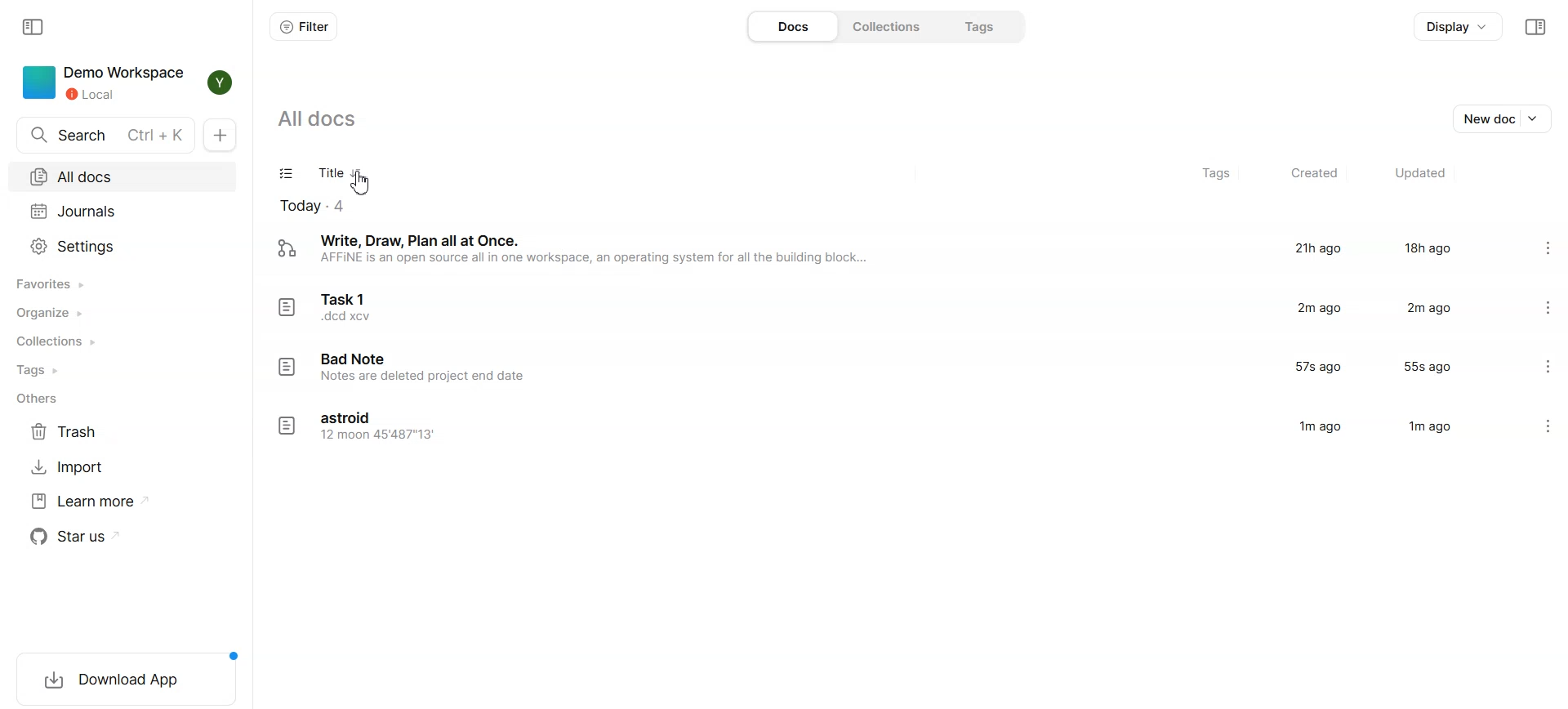  What do you see at coordinates (892, 25) in the screenshot?
I see `Collections` at bounding box center [892, 25].